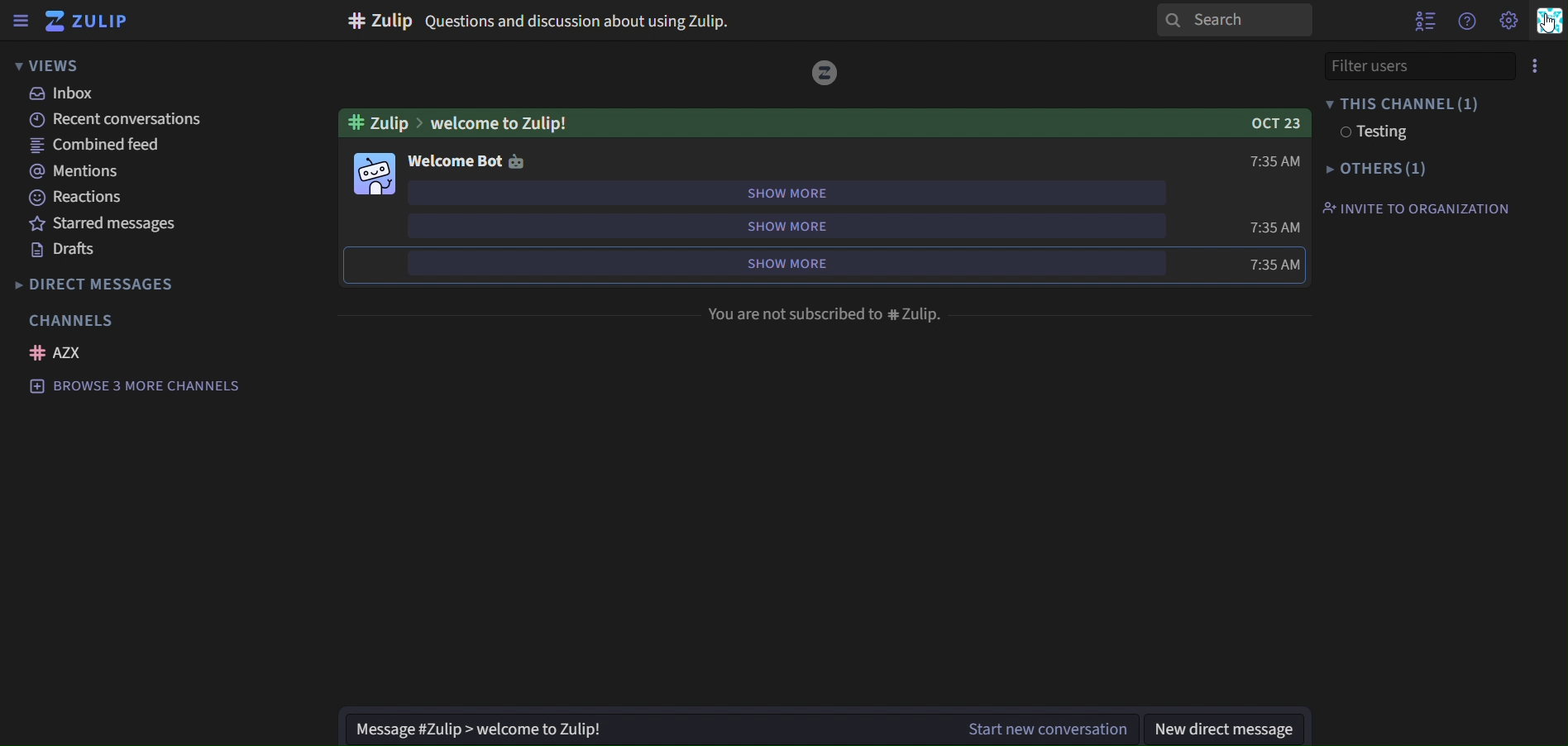 The image size is (1568, 746). What do you see at coordinates (469, 160) in the screenshot?
I see `welcome bot` at bounding box center [469, 160].